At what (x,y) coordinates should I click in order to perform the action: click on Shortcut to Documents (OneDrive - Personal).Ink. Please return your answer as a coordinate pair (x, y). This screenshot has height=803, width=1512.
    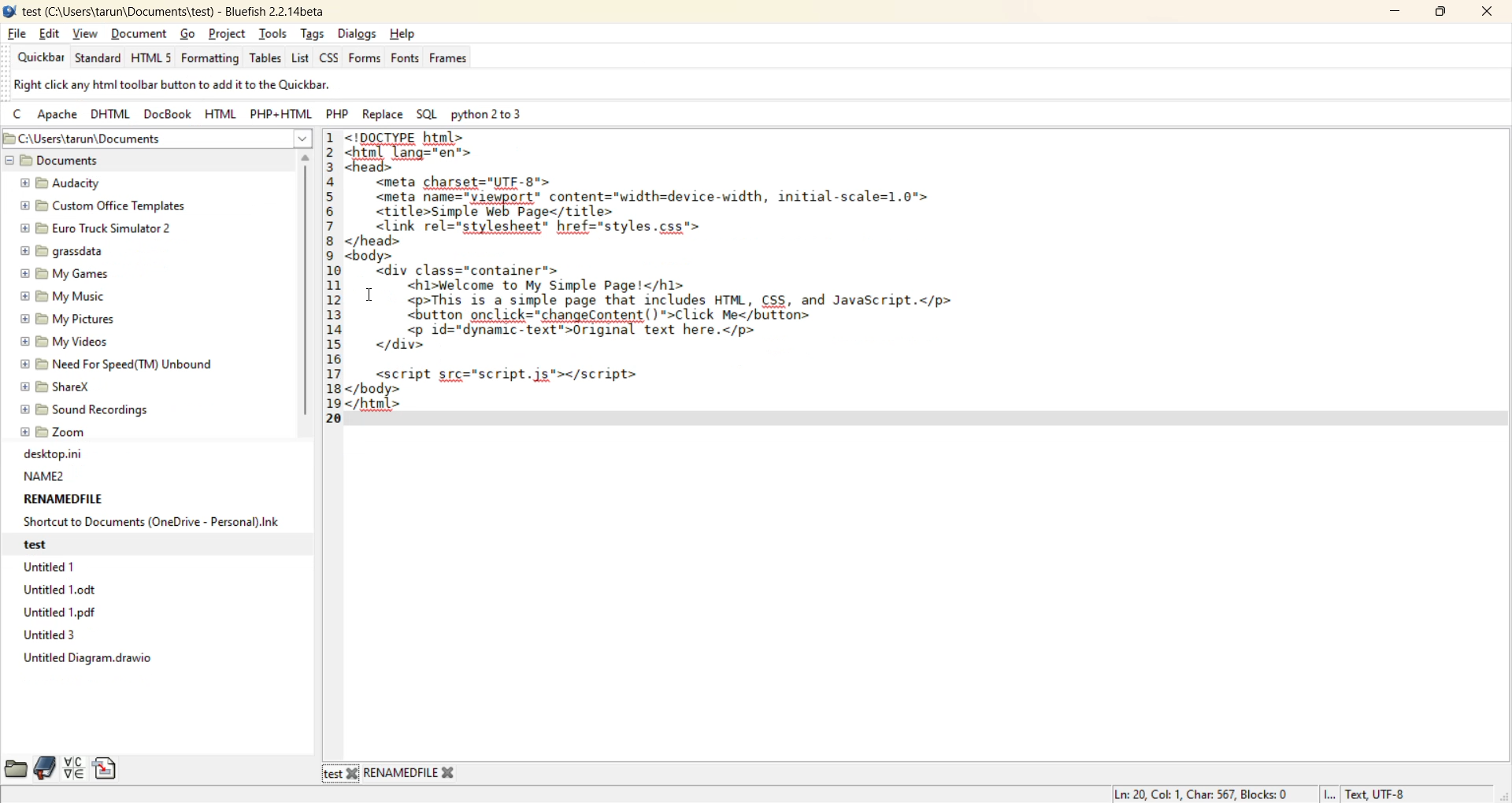
    Looking at the image, I should click on (147, 523).